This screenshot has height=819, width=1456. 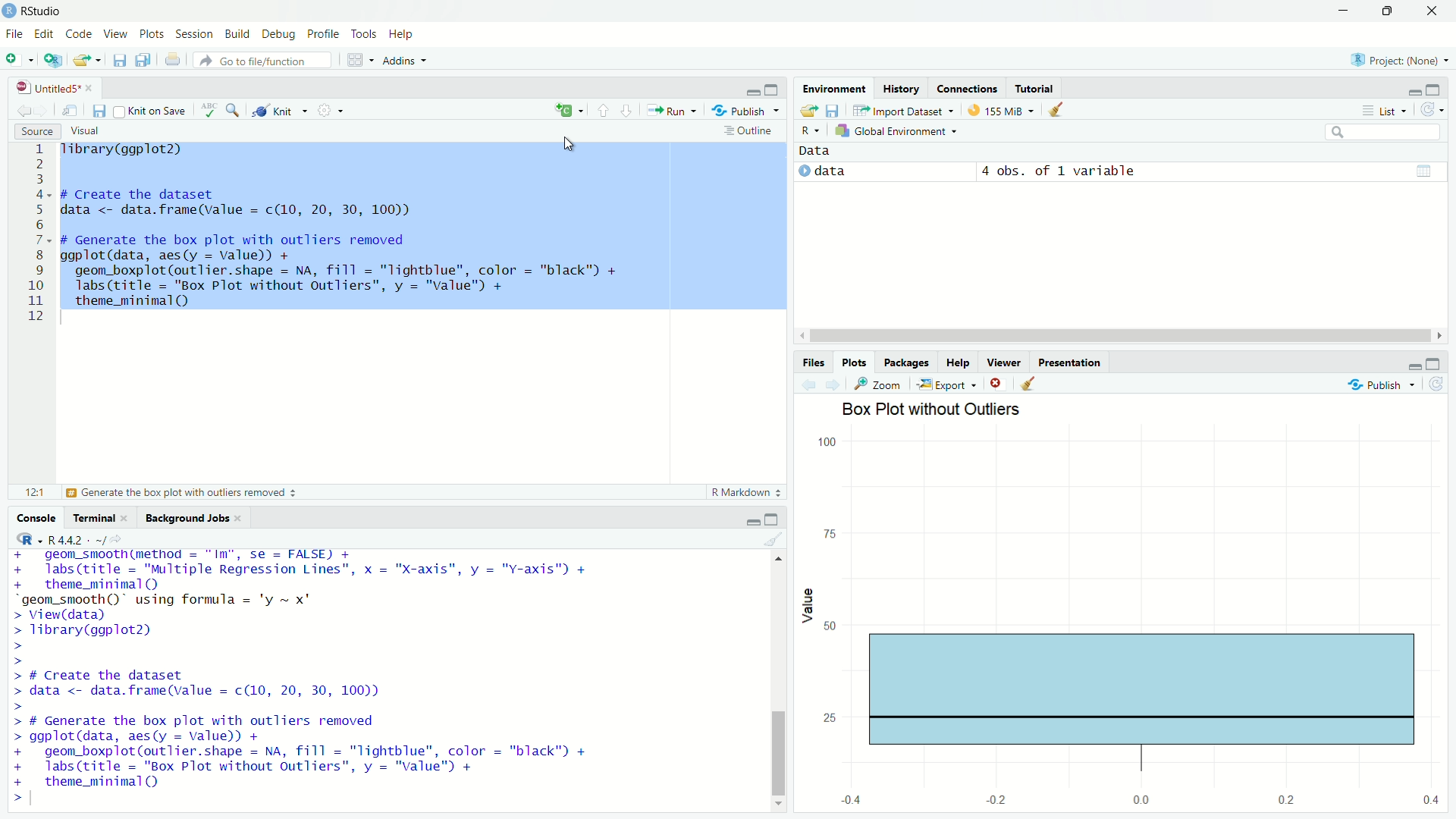 What do you see at coordinates (808, 362) in the screenshot?
I see `` at bounding box center [808, 362].